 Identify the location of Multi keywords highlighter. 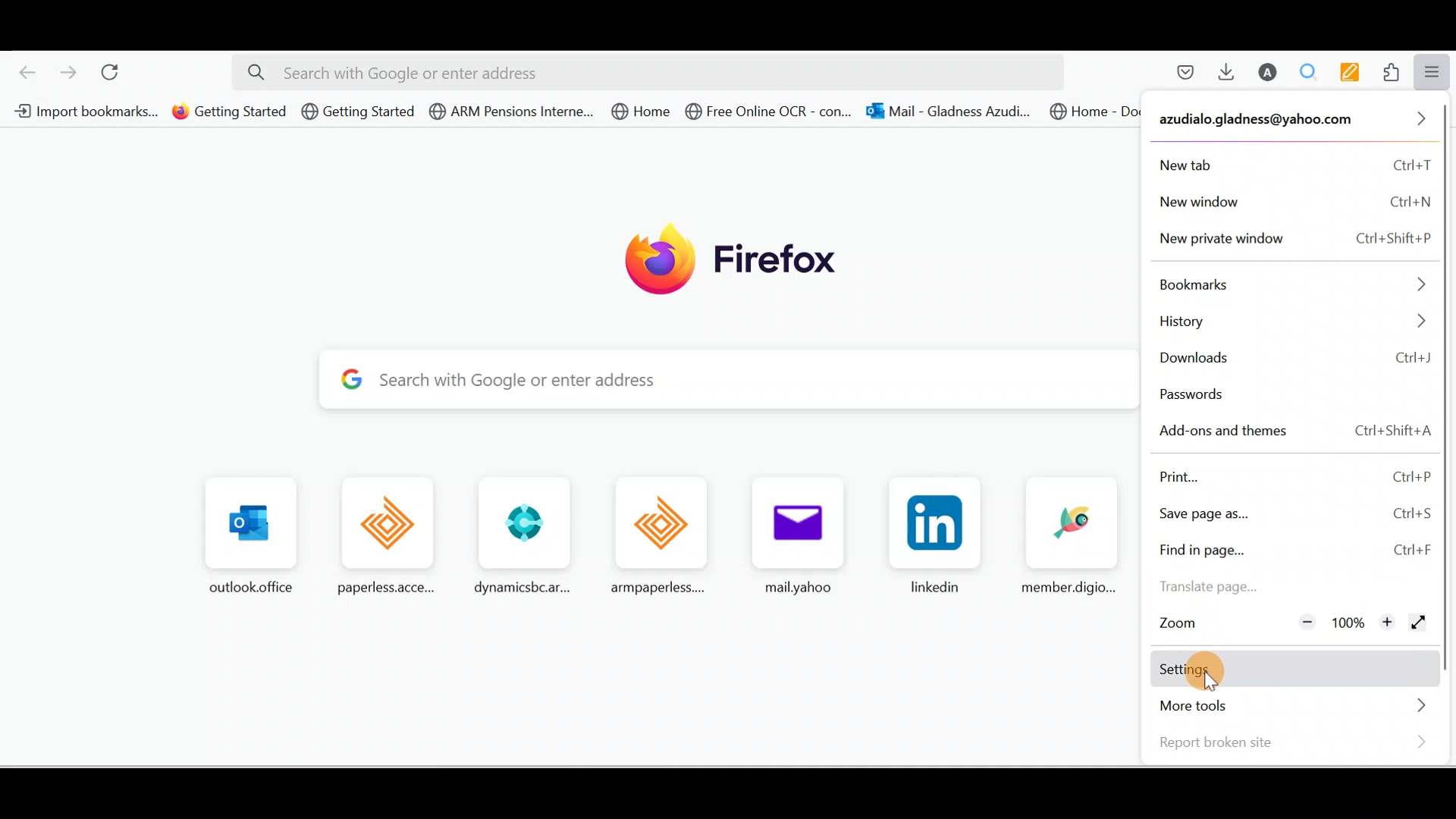
(1354, 73).